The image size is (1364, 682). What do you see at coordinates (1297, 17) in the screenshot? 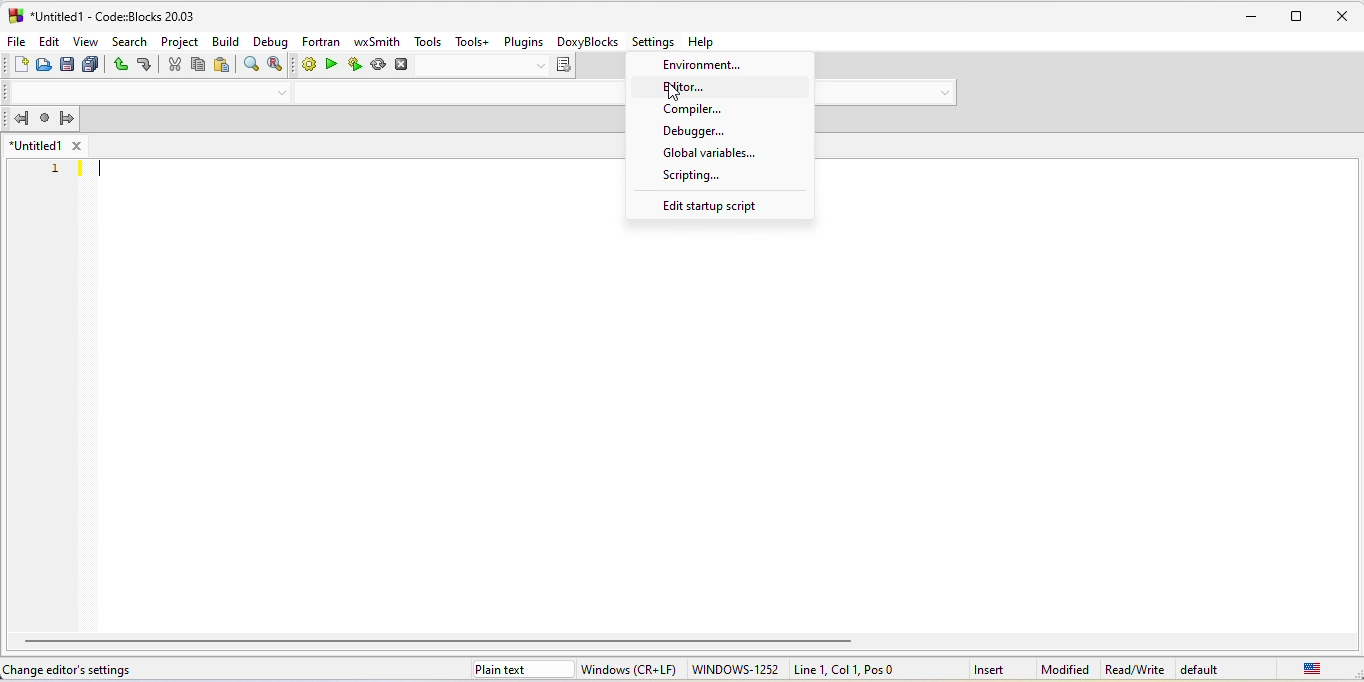
I see `maximize` at bounding box center [1297, 17].